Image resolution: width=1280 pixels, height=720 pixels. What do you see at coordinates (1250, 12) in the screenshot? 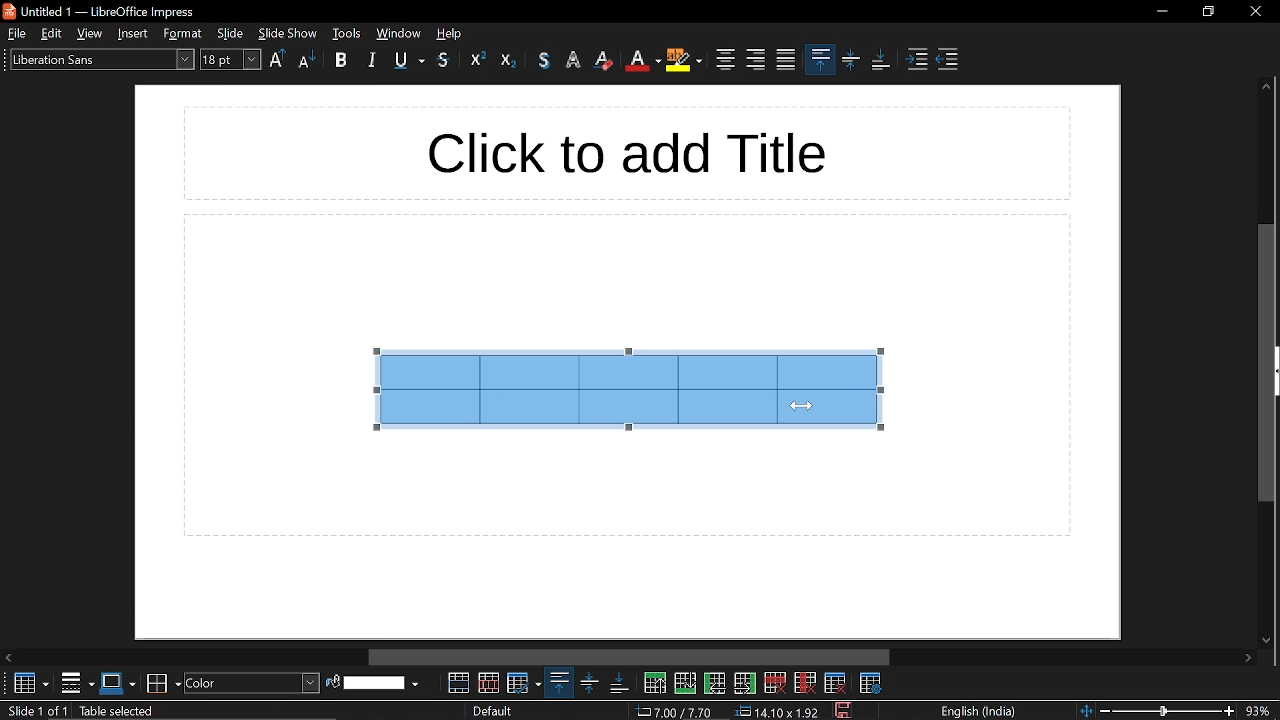
I see `close` at bounding box center [1250, 12].